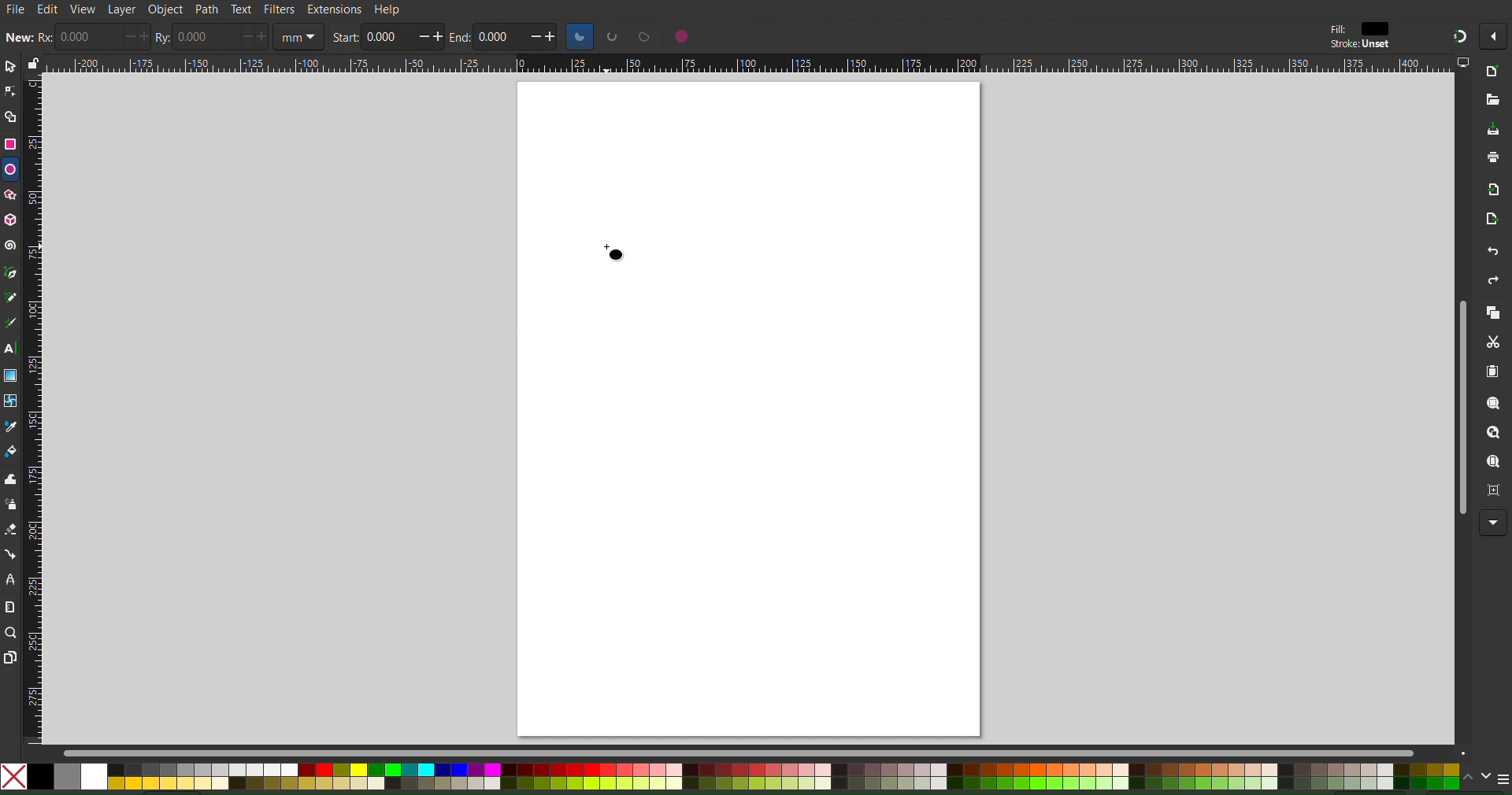  I want to click on unit, so click(296, 35).